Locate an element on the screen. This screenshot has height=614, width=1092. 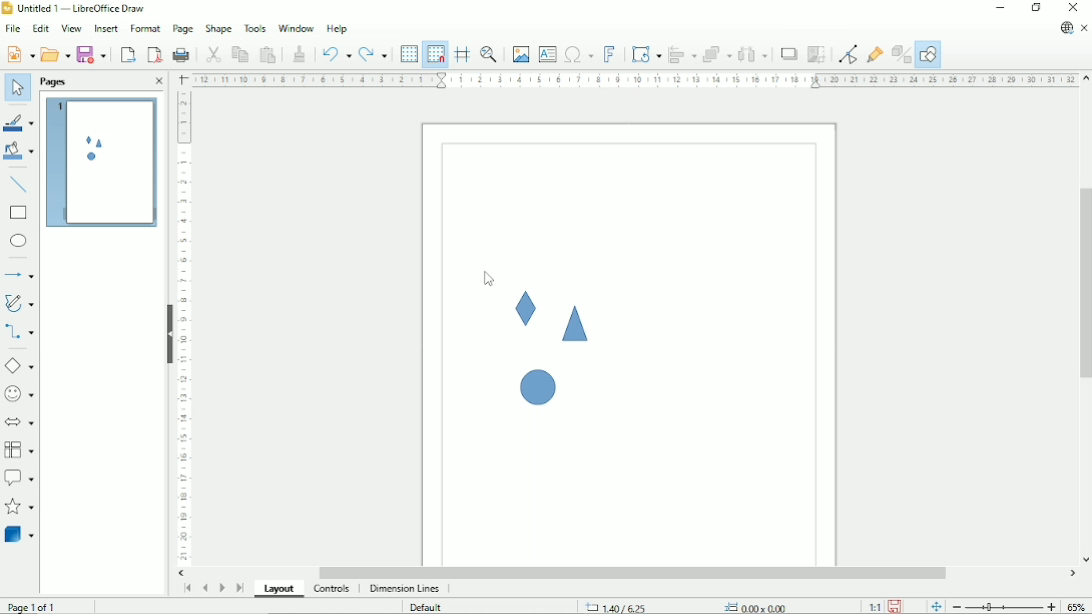
Select is located at coordinates (17, 89).